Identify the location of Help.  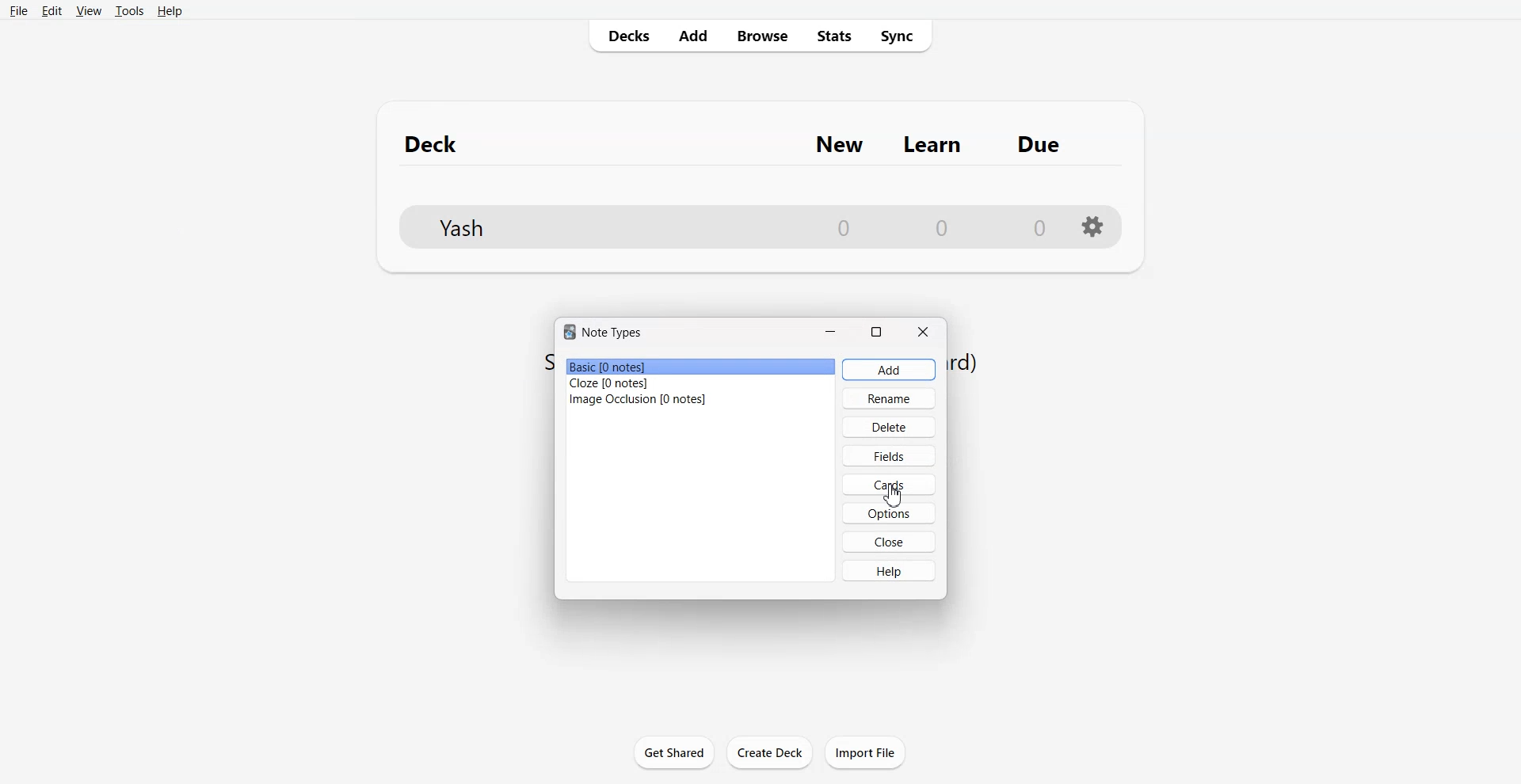
(169, 11).